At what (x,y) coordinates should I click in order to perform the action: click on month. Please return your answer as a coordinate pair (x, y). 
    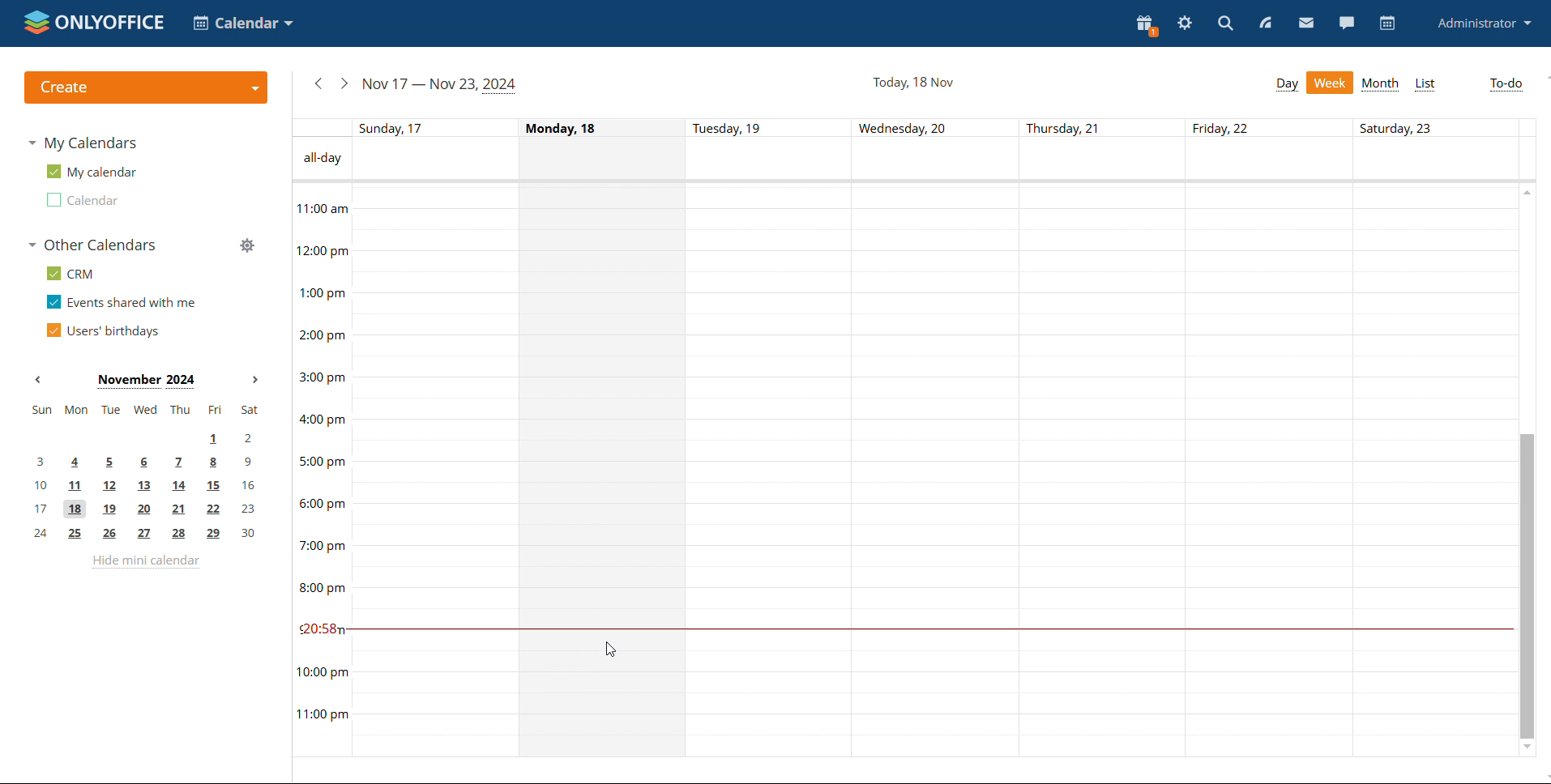
    Looking at the image, I should click on (1382, 84).